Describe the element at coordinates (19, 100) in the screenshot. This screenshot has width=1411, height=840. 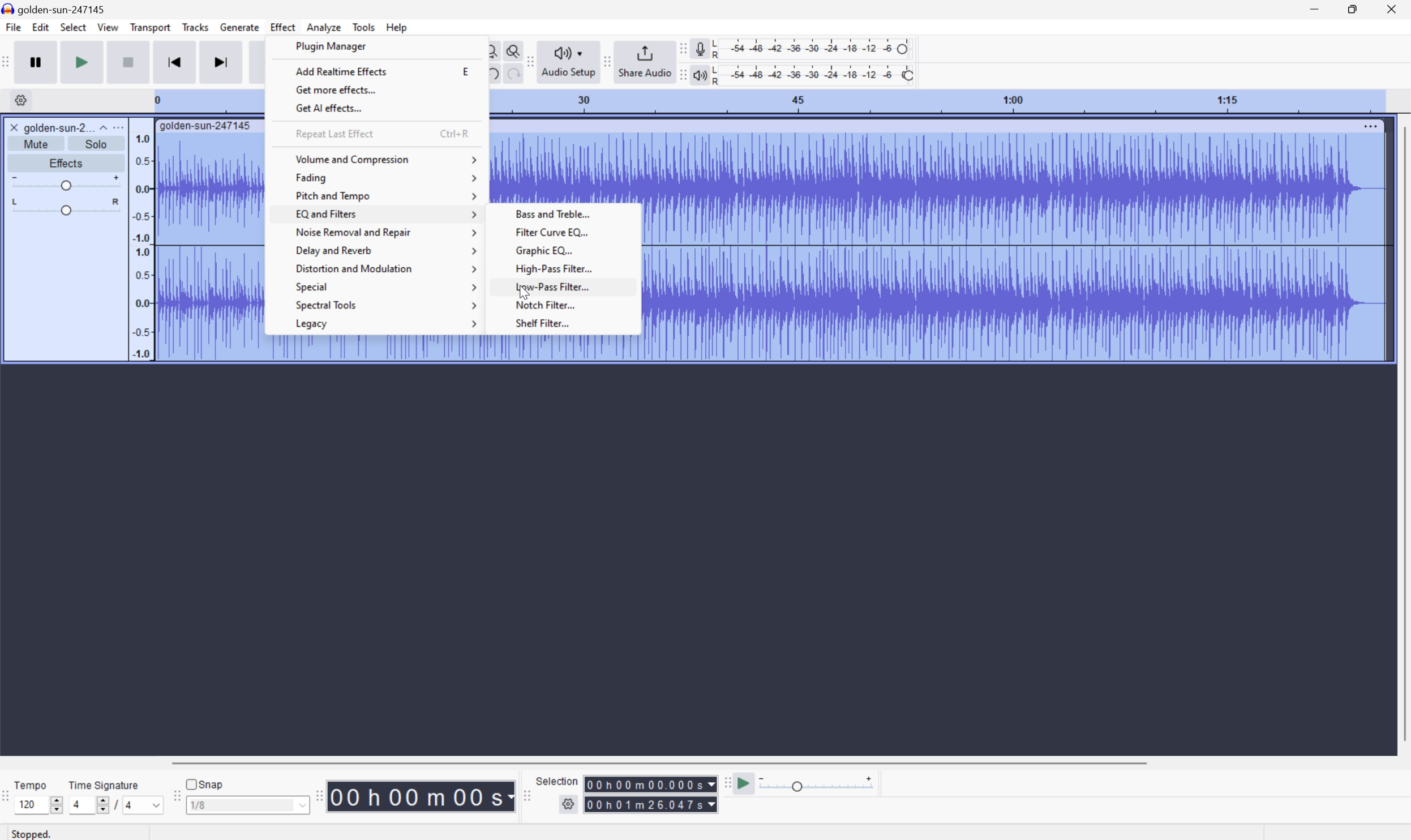
I see `Settings` at that location.